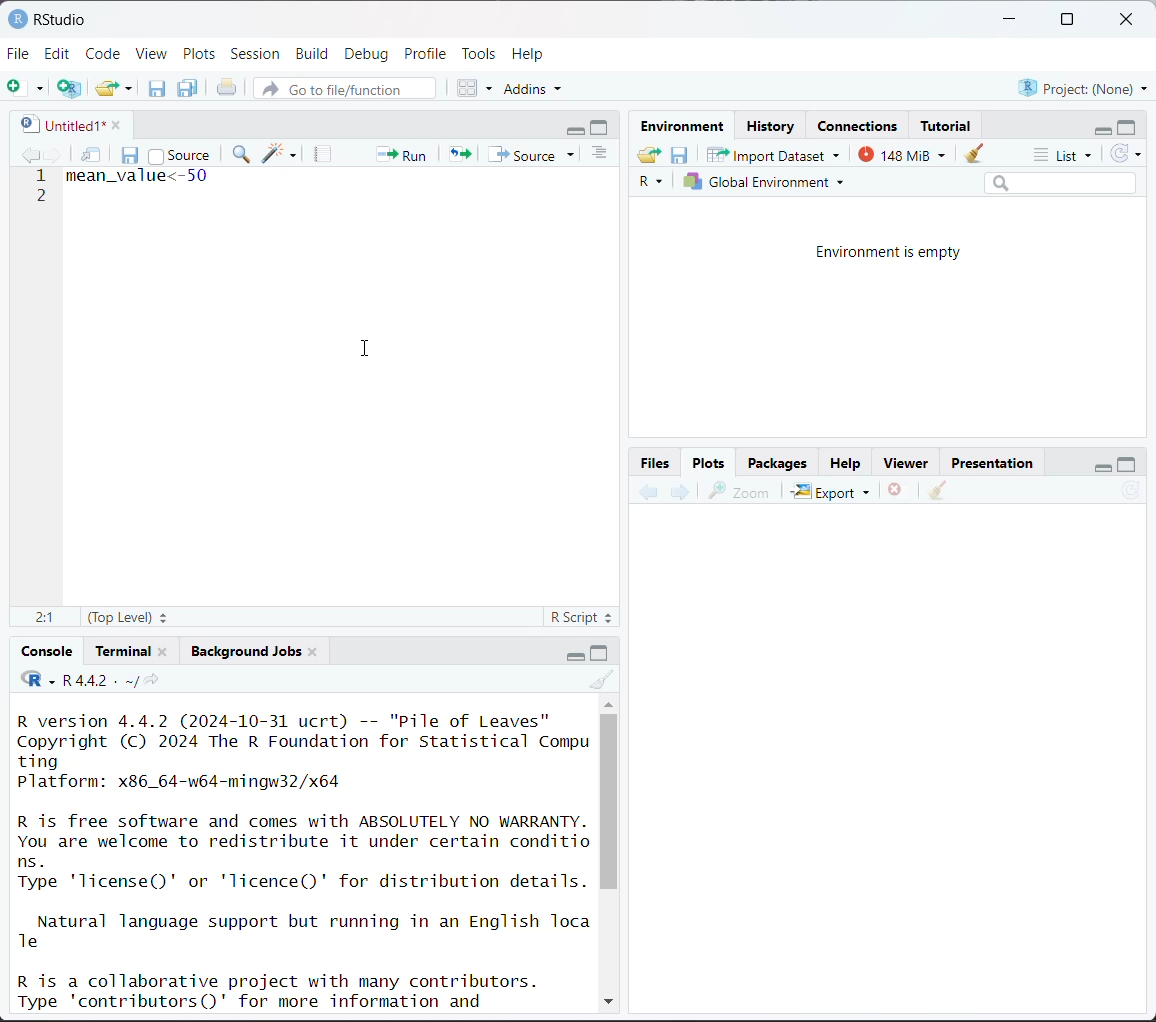  Describe the element at coordinates (649, 493) in the screenshot. I see `previous plot` at that location.